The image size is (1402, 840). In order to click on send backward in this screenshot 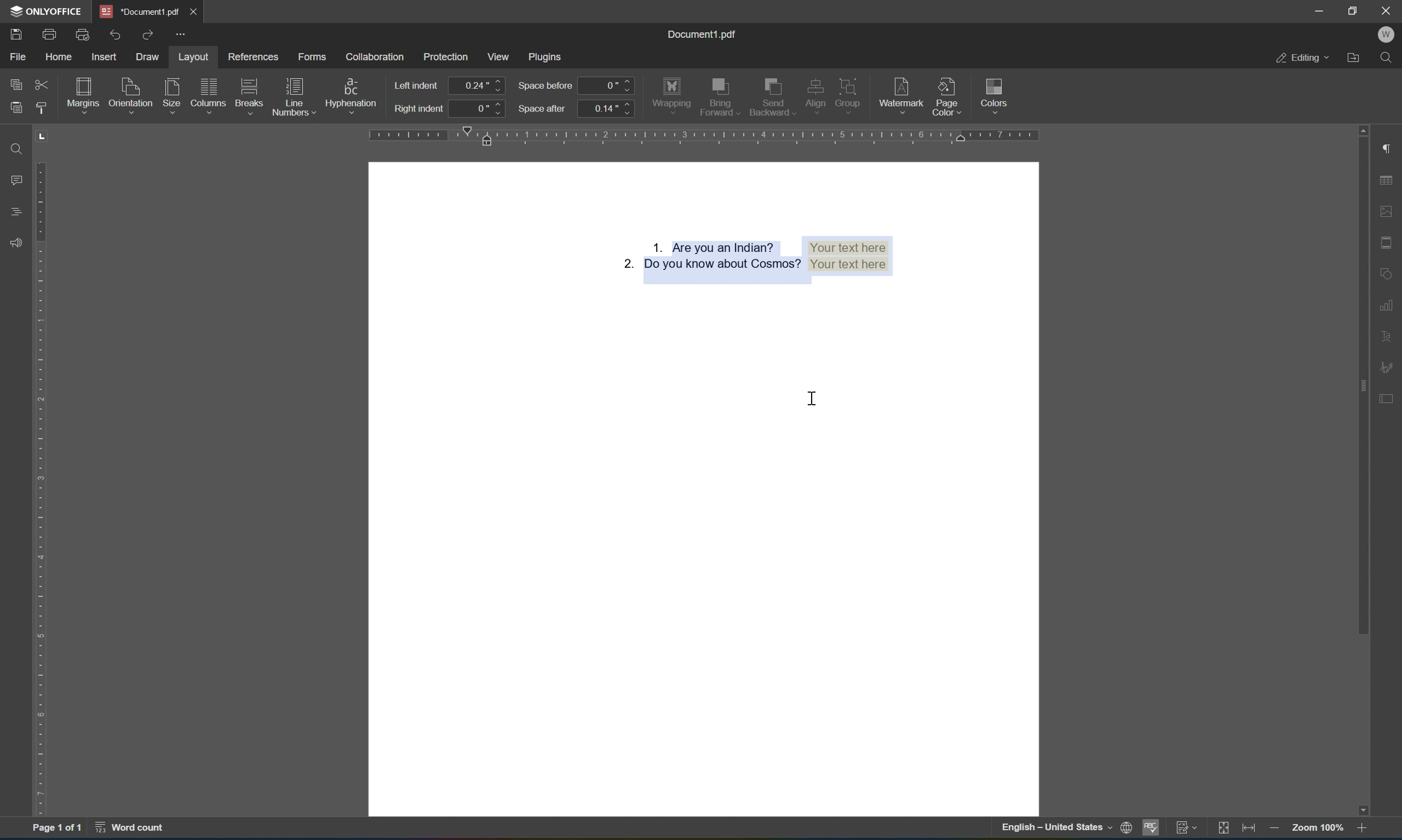, I will do `click(772, 94)`.